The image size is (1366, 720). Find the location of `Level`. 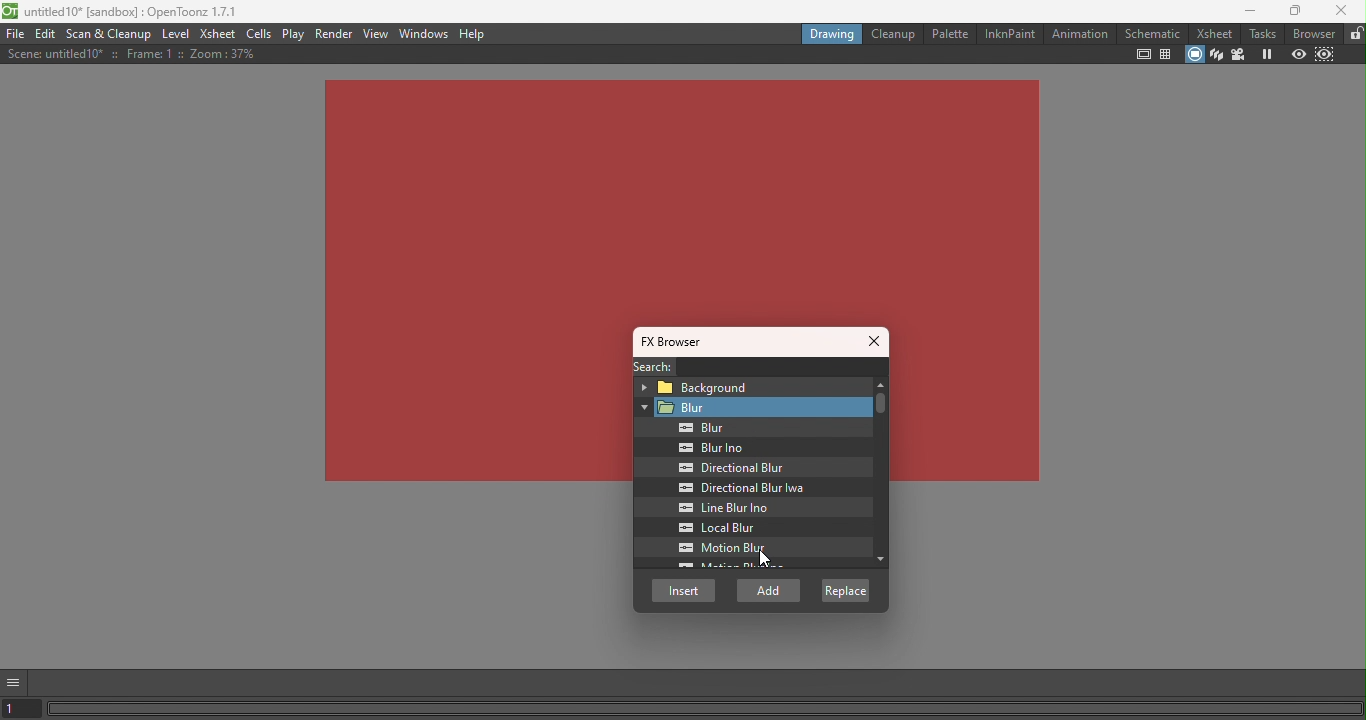

Level is located at coordinates (176, 35).